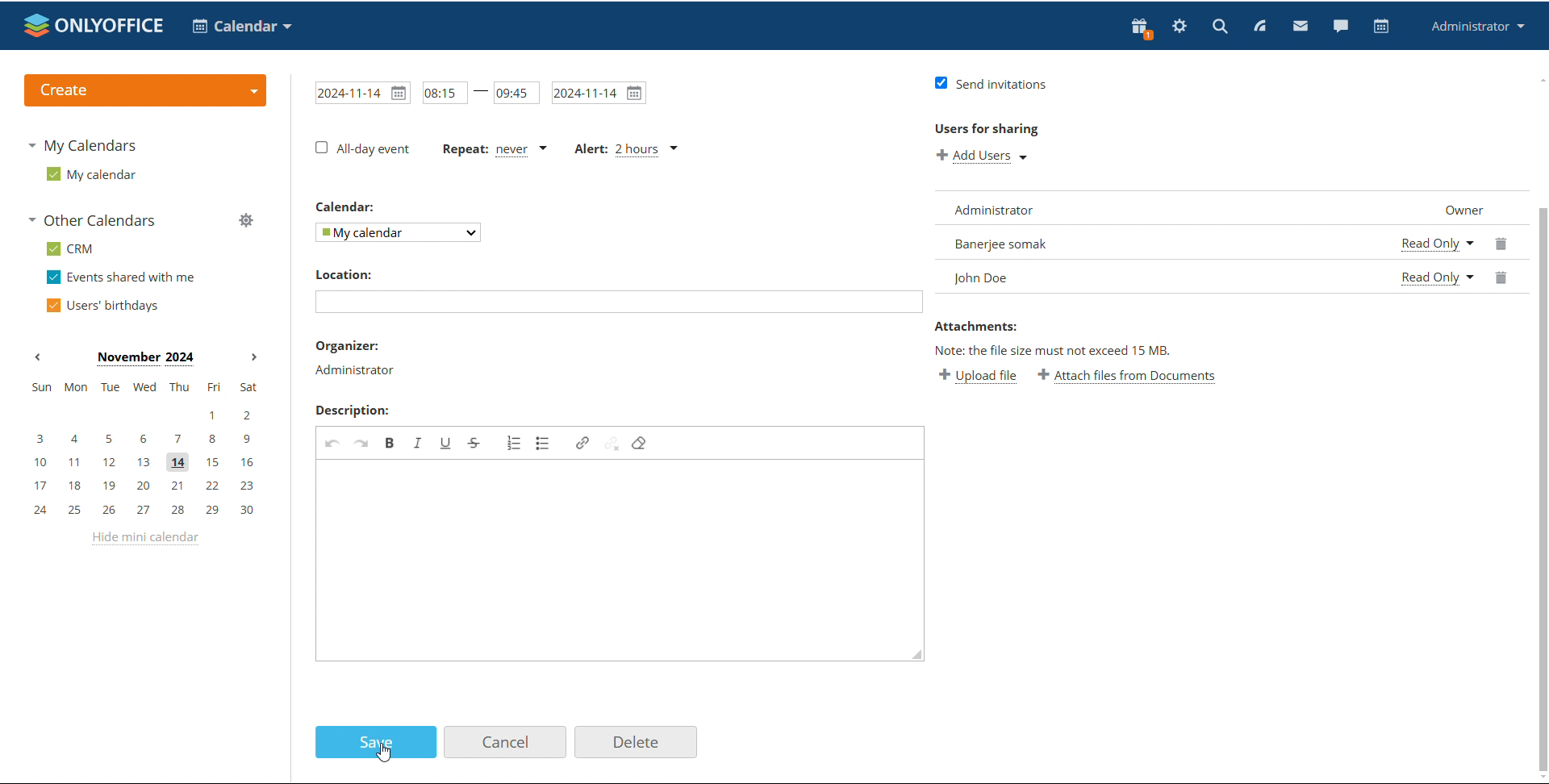 The height and width of the screenshot is (784, 1549). Describe the element at coordinates (516, 92) in the screenshot. I see `set end time` at that location.